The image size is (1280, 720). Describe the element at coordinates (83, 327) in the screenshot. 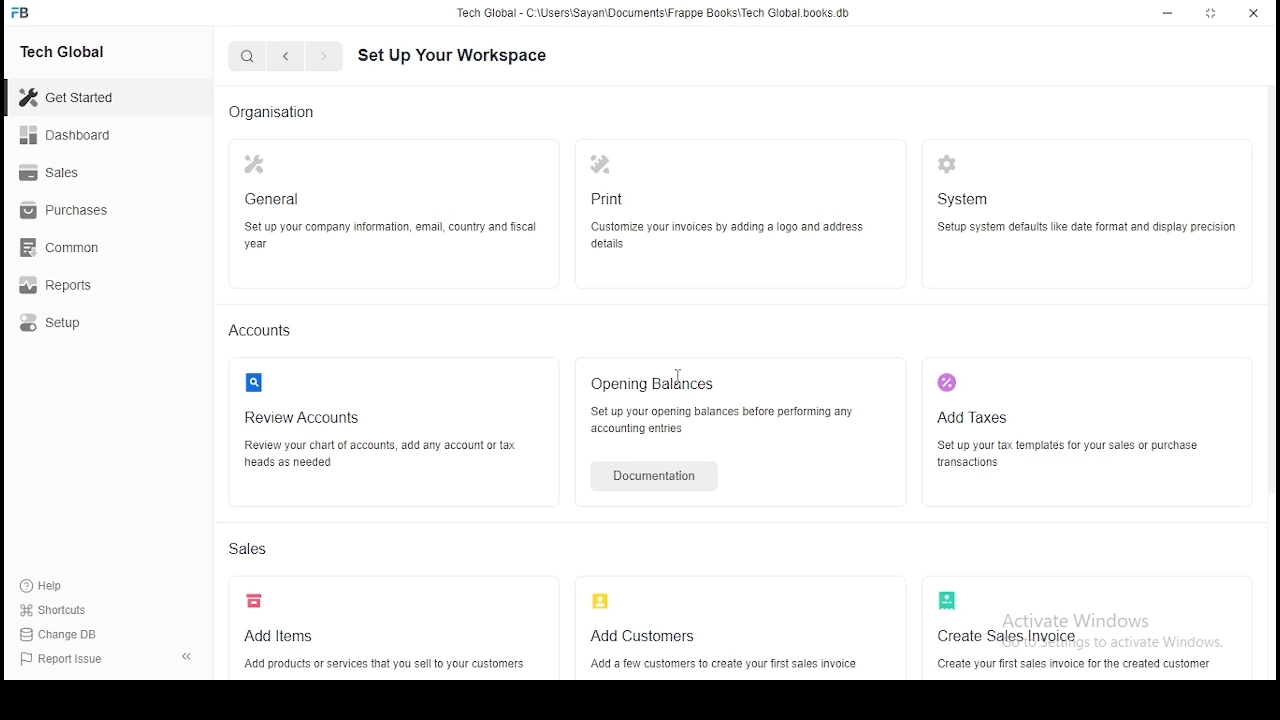

I see `setup ` at that location.